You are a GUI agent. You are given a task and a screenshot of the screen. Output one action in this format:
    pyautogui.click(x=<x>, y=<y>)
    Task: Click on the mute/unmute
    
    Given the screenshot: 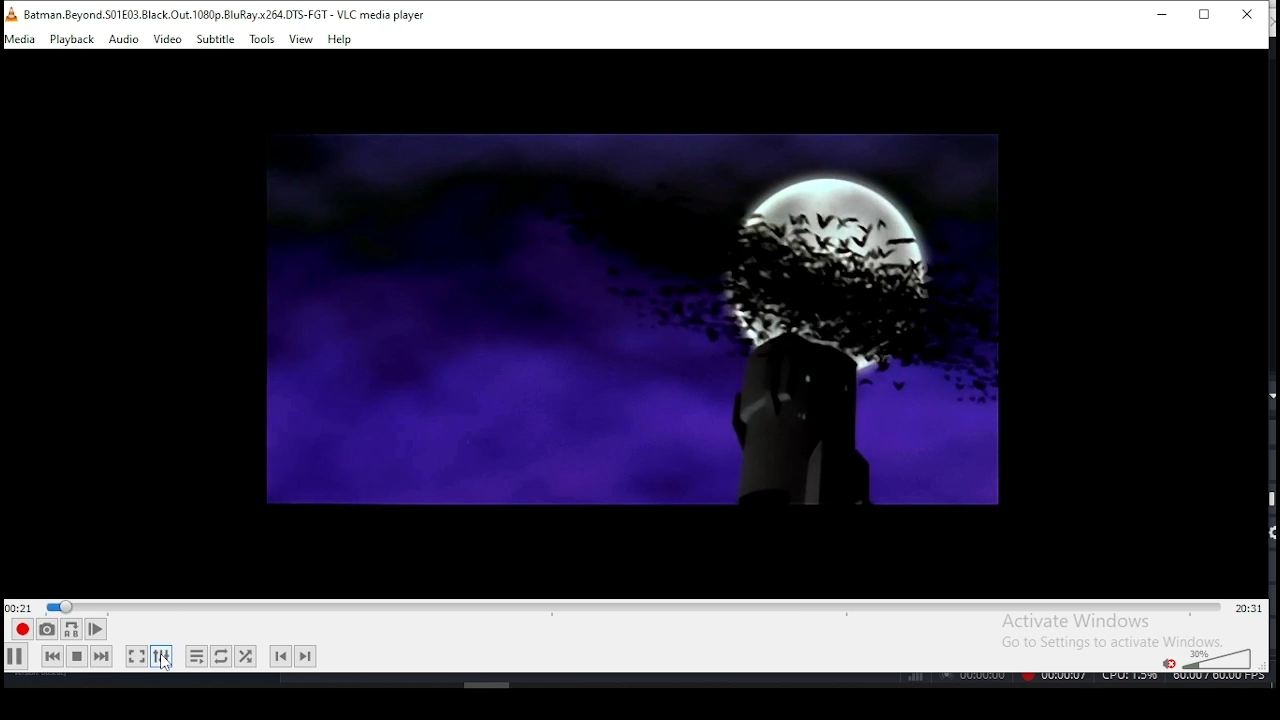 What is the action you would take?
    pyautogui.click(x=1166, y=662)
    